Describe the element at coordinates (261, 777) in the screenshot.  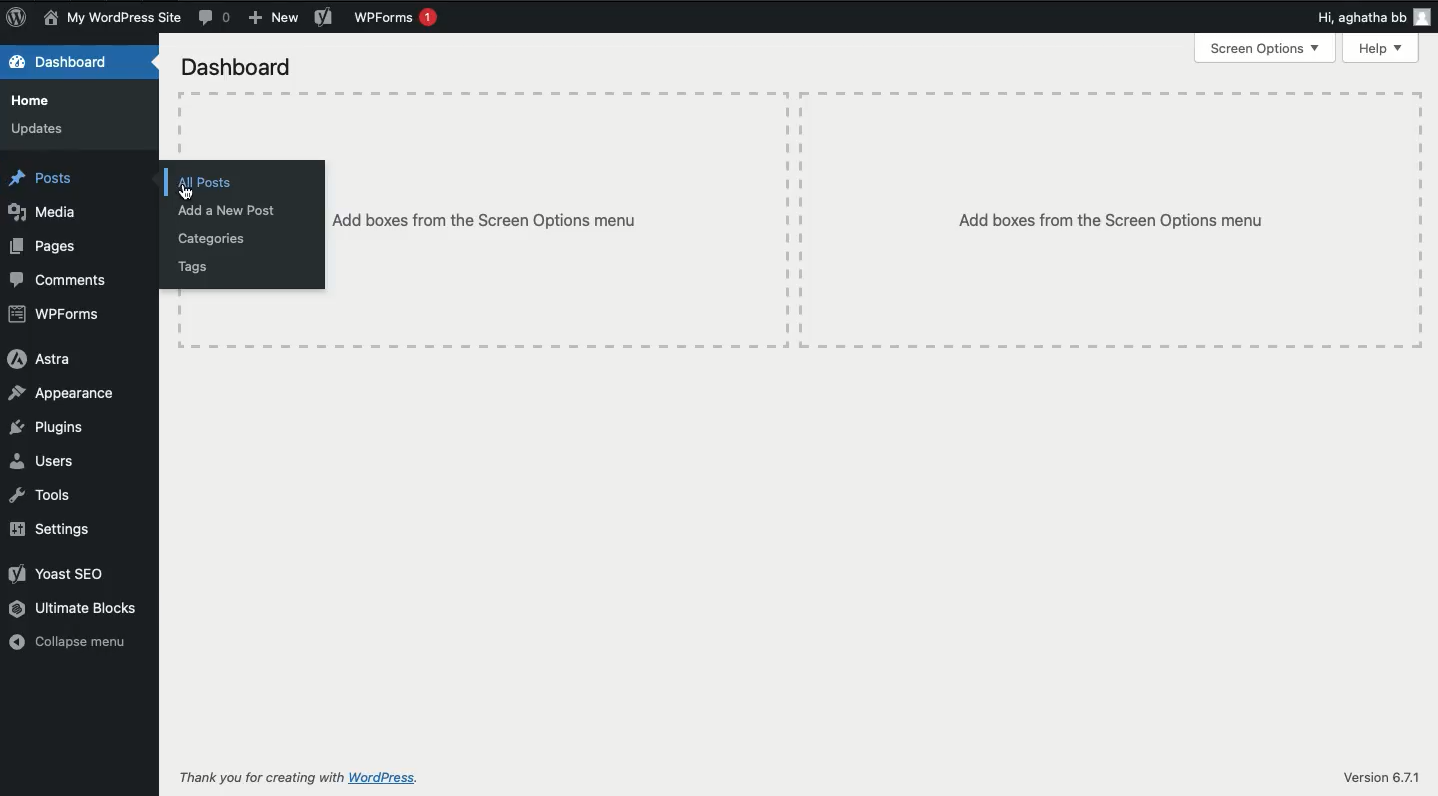
I see `Thank you for creating with` at that location.